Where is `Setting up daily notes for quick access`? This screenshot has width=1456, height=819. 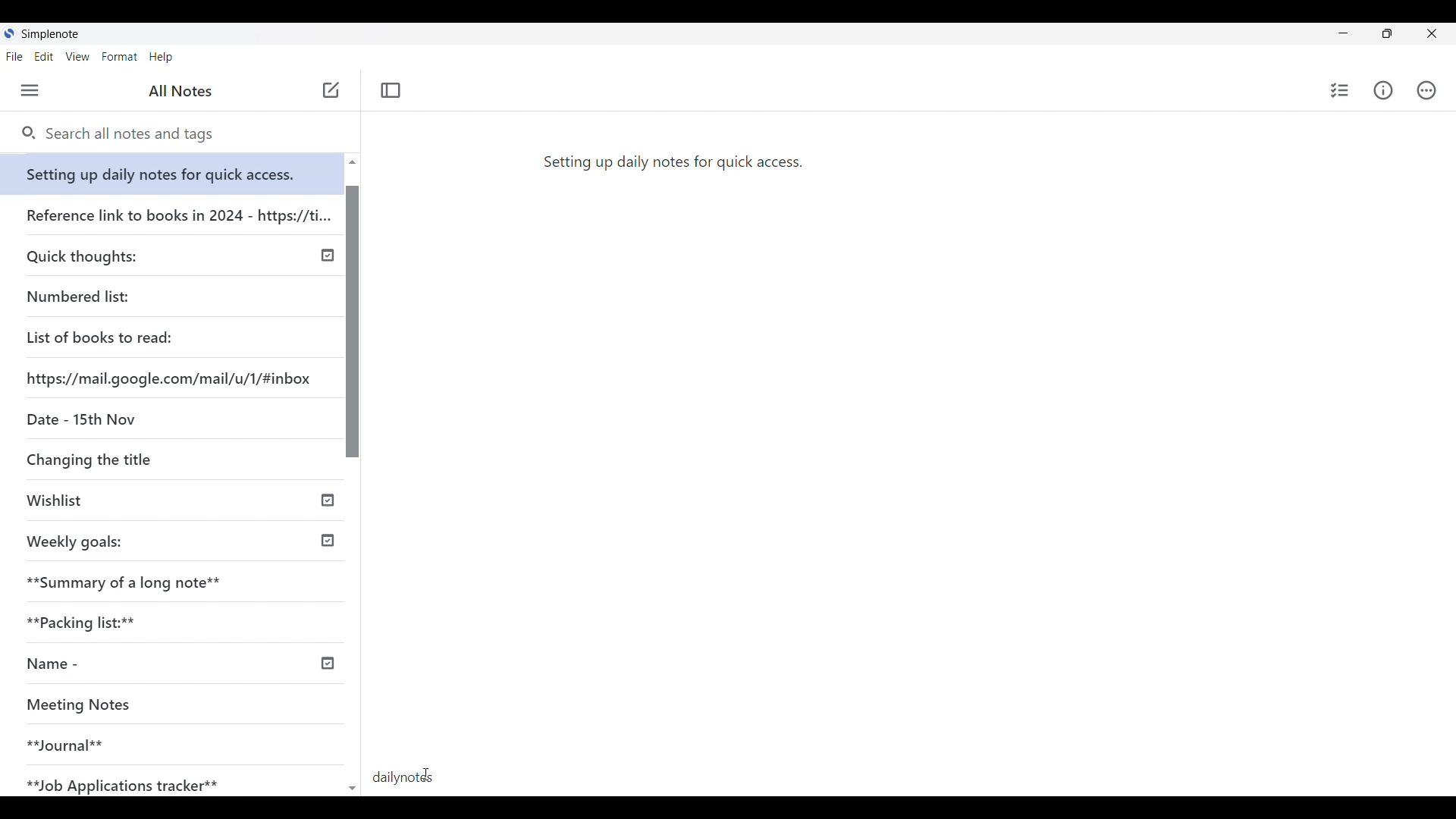
Setting up daily notes for quick access is located at coordinates (174, 170).